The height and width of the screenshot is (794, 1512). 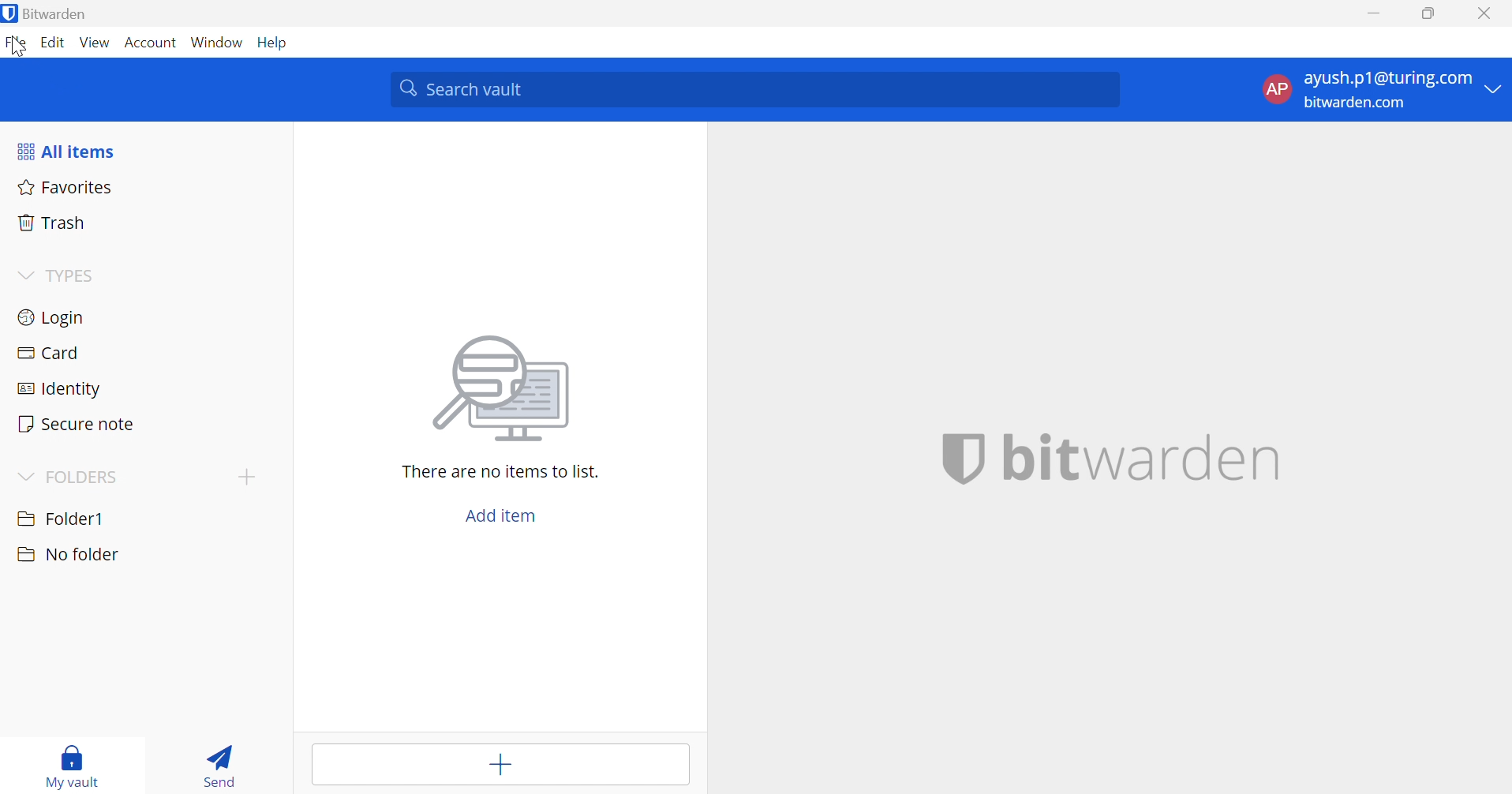 I want to click on Window, so click(x=217, y=42).